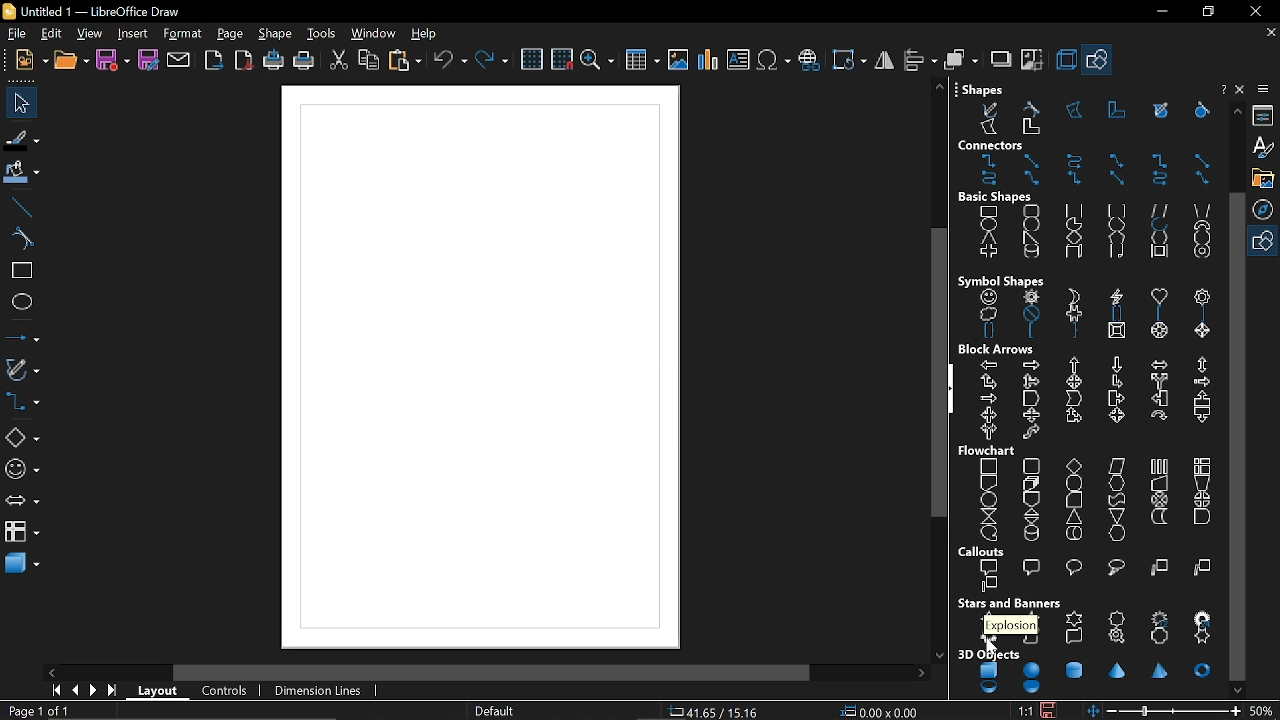 The image size is (1280, 720). I want to click on Connectors, so click(1087, 163).